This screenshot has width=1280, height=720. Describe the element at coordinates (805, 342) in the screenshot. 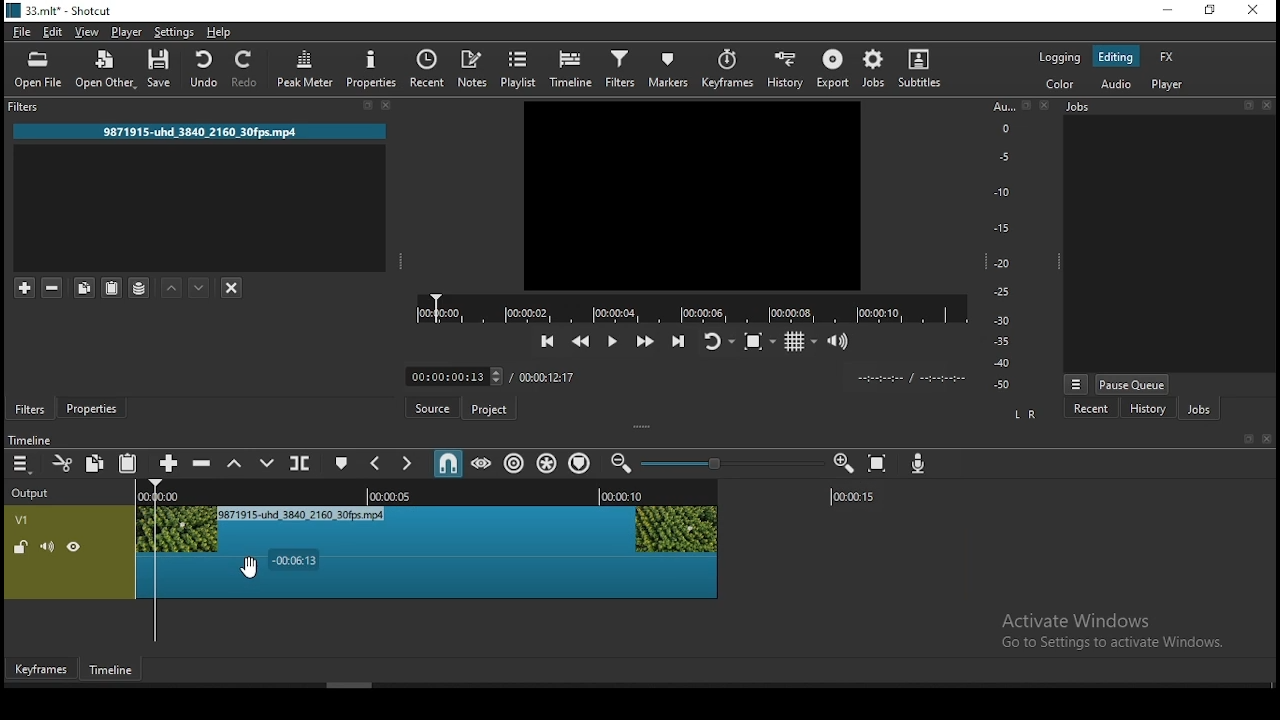

I see `toggle grid display on player` at that location.